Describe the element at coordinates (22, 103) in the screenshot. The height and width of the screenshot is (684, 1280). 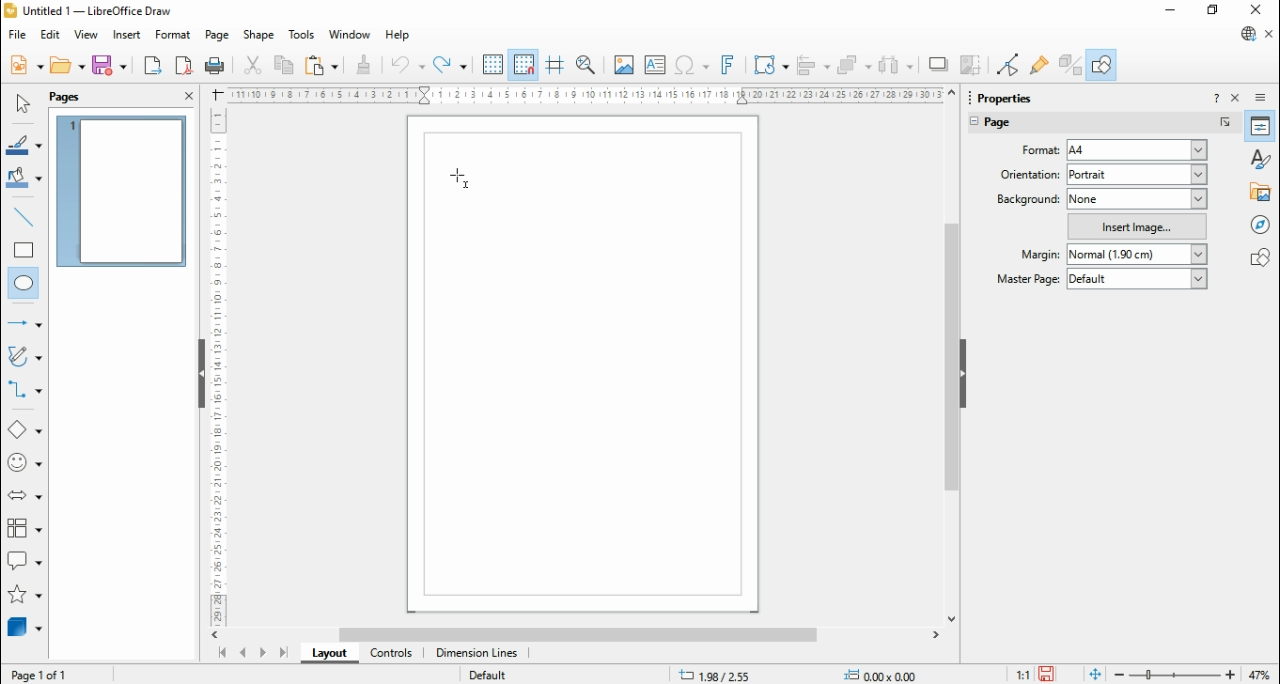
I see `select` at that location.